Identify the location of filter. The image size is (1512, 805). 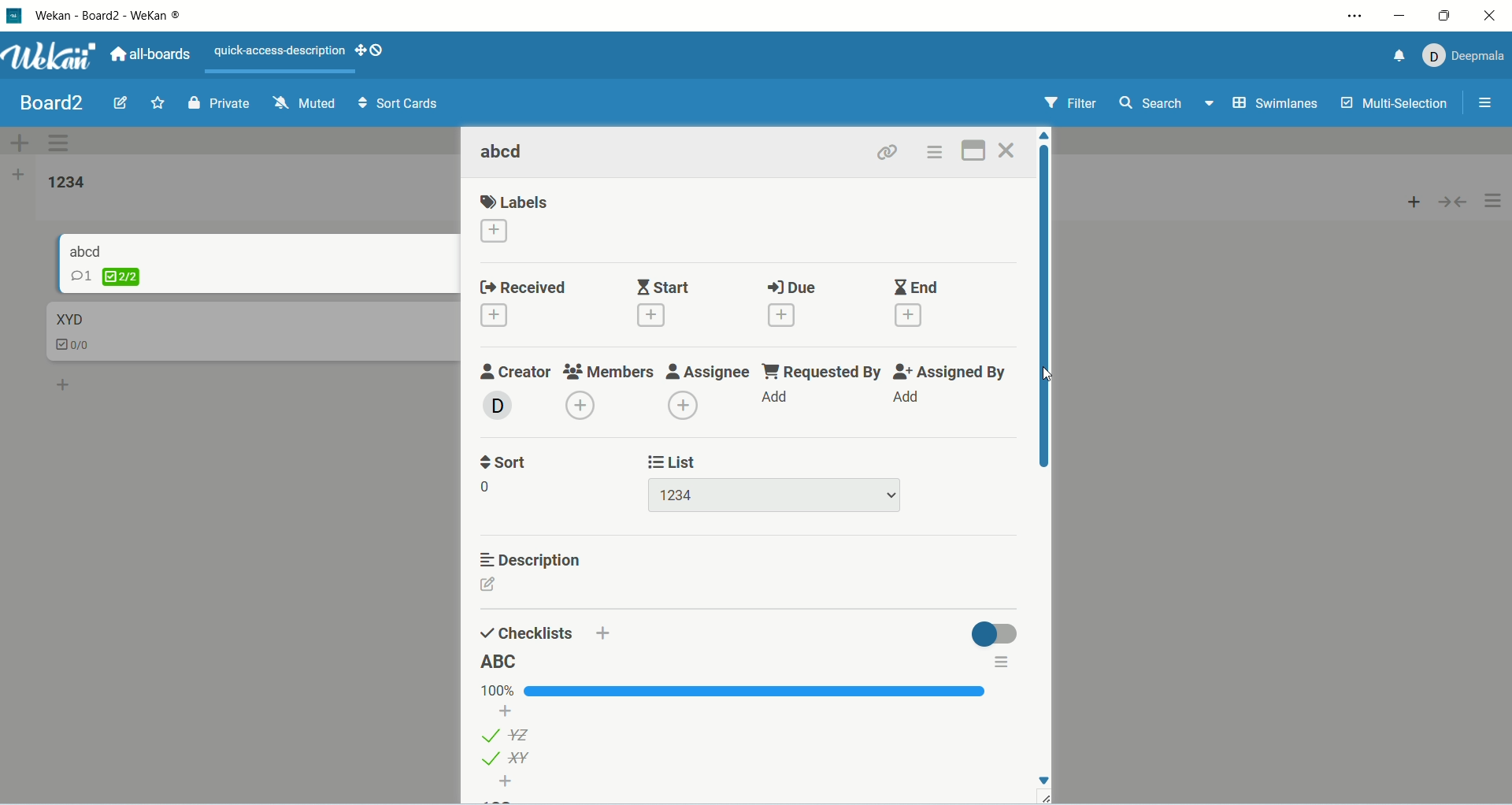
(1070, 103).